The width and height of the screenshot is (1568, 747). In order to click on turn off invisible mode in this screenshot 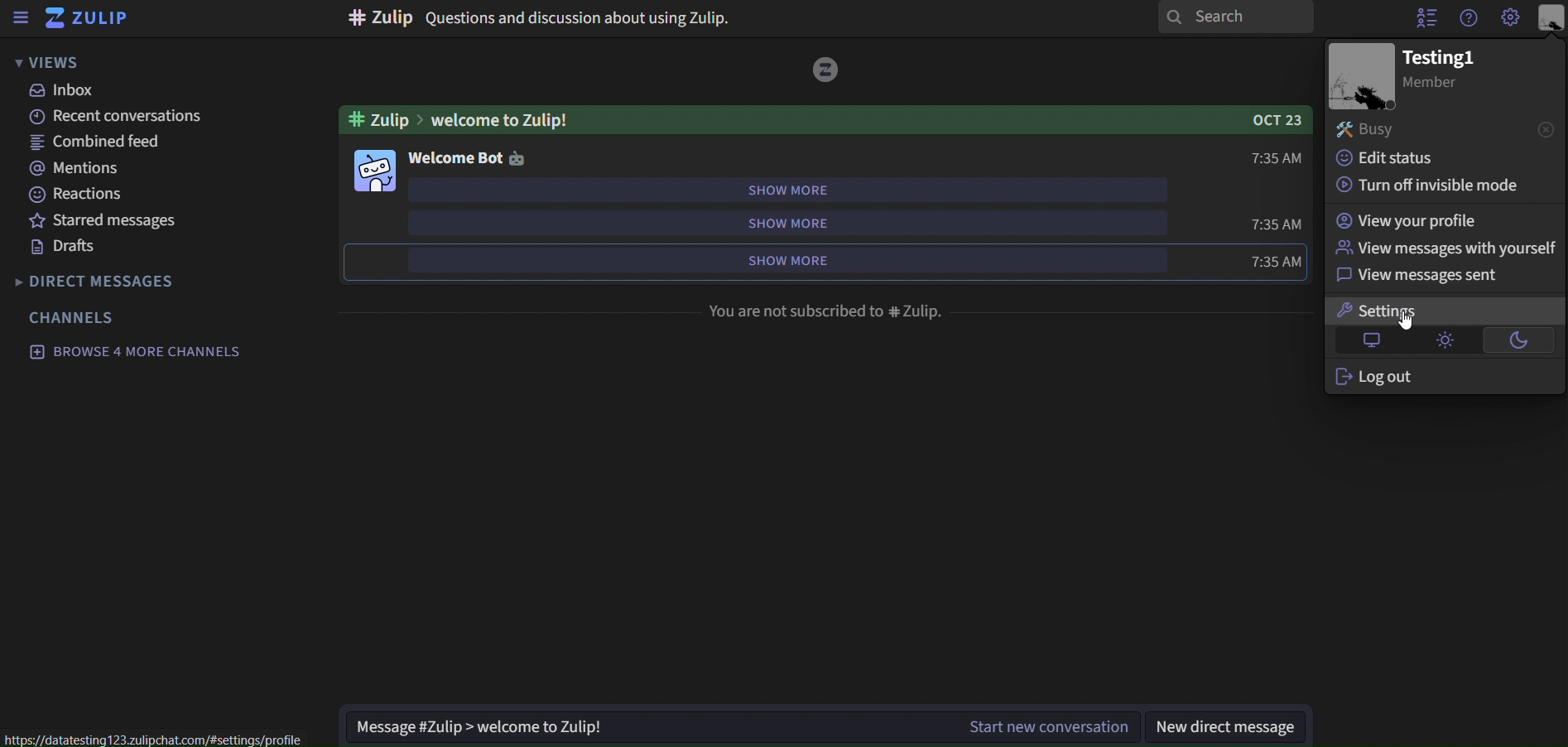, I will do `click(1426, 184)`.